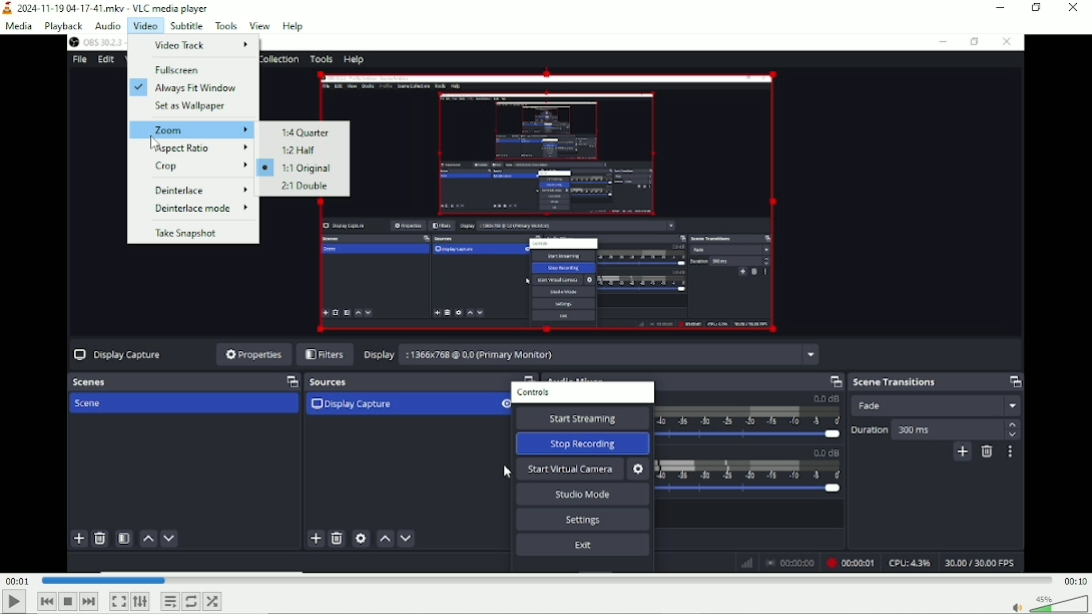  I want to click on Aspect ratio, so click(191, 147).